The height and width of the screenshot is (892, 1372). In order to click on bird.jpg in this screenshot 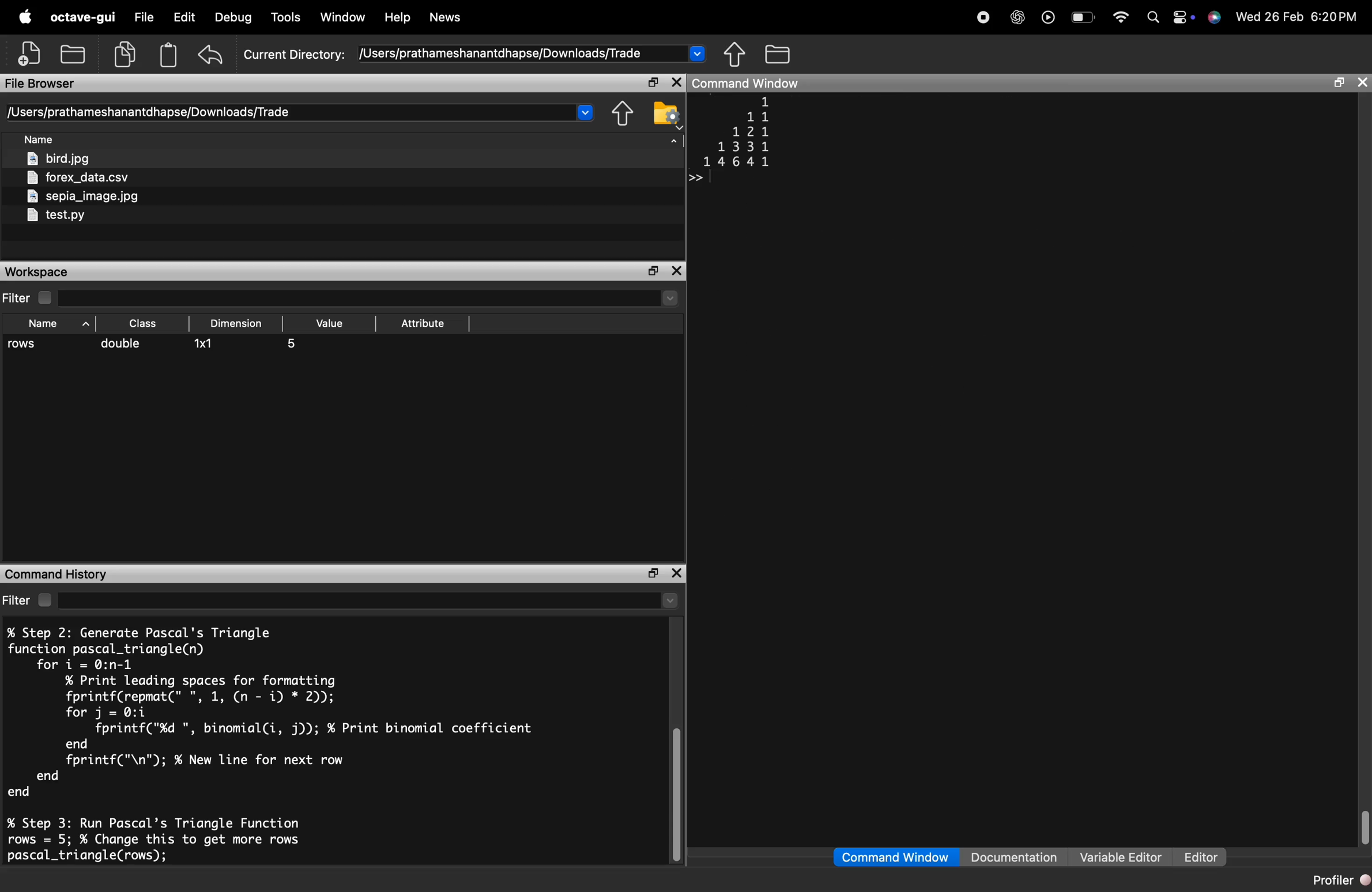, I will do `click(61, 159)`.